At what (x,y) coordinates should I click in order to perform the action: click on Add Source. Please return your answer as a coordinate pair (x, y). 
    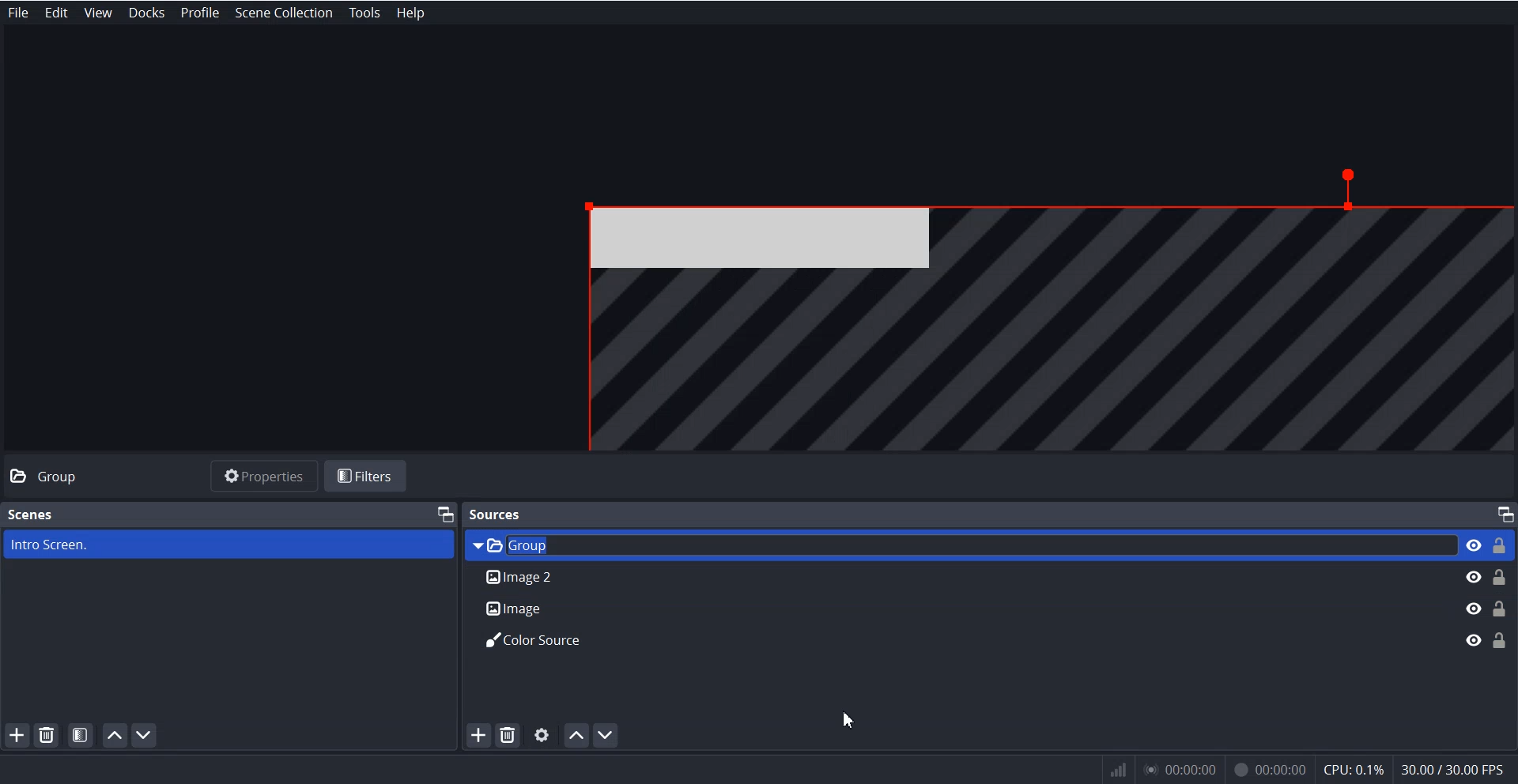
    Looking at the image, I should click on (476, 735).